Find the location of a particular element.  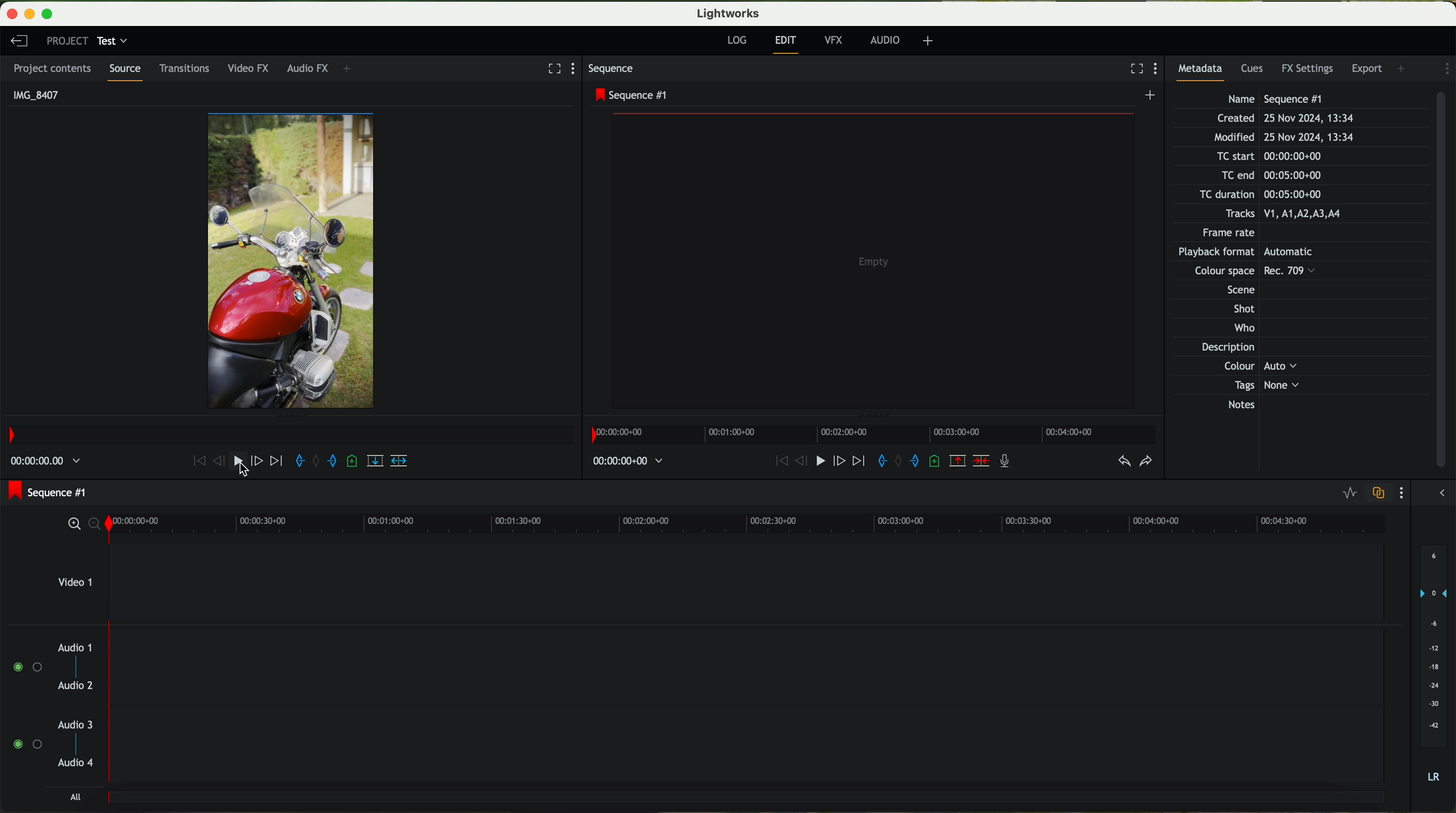

video 1 is located at coordinates (700, 581).